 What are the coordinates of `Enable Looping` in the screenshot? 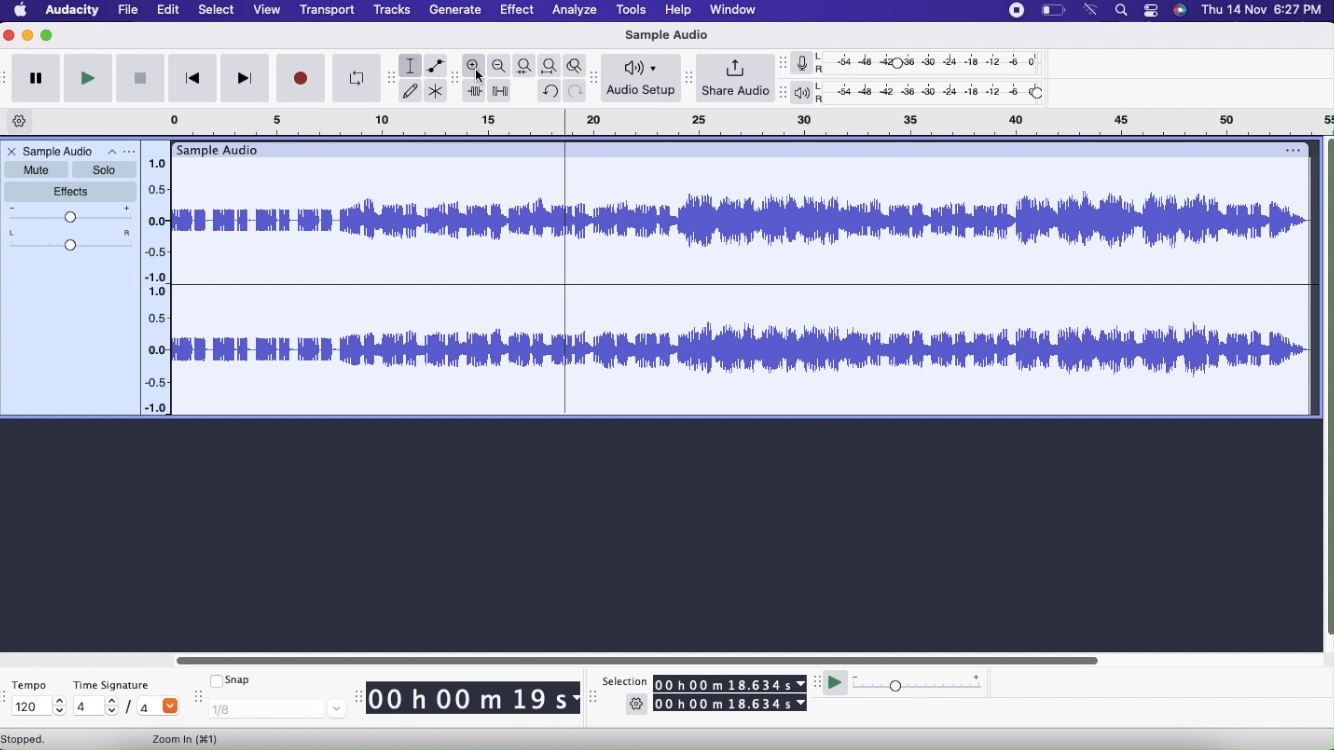 It's located at (352, 78).